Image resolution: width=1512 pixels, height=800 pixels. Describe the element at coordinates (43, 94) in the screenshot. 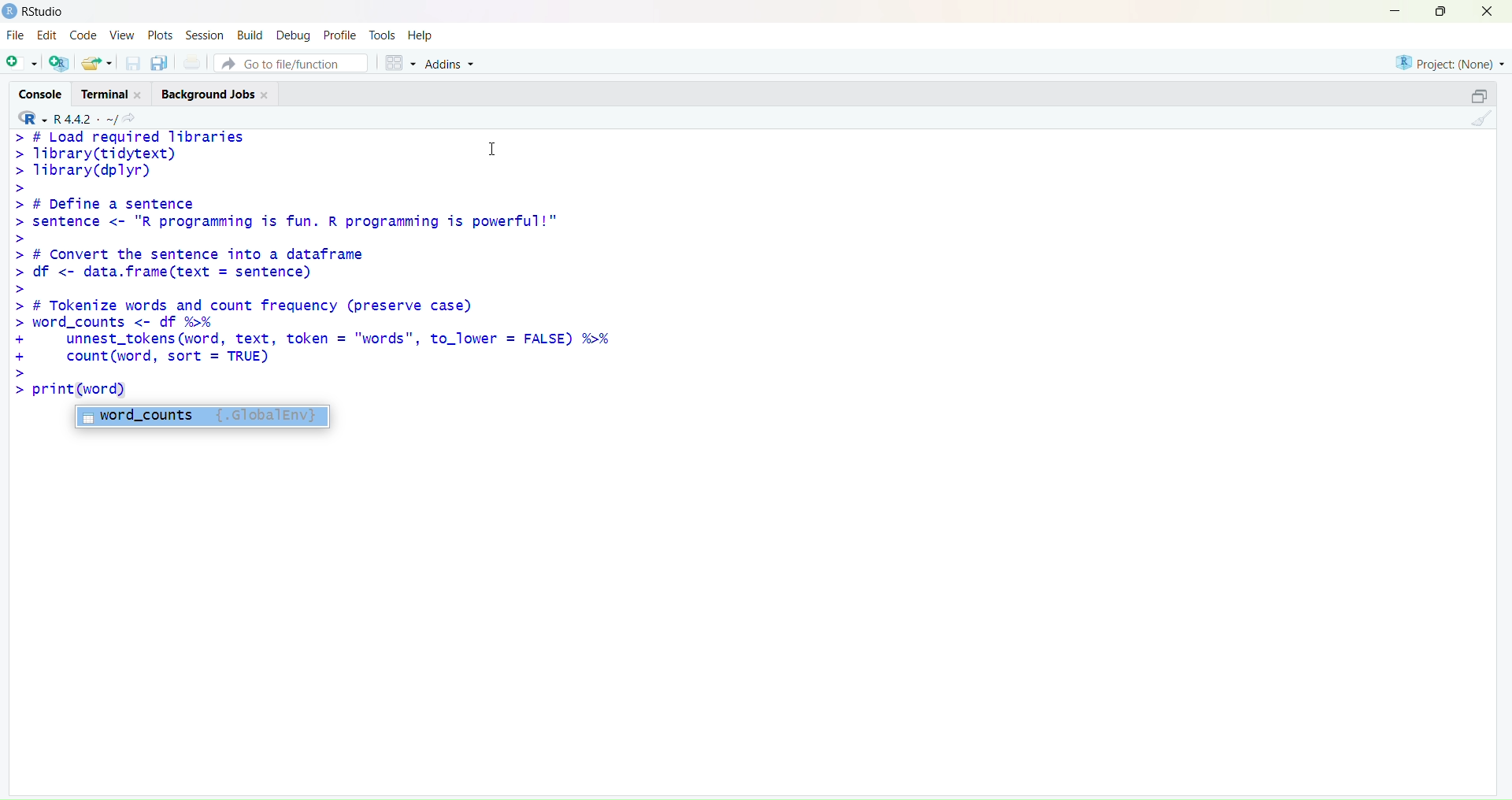

I see `console` at that location.